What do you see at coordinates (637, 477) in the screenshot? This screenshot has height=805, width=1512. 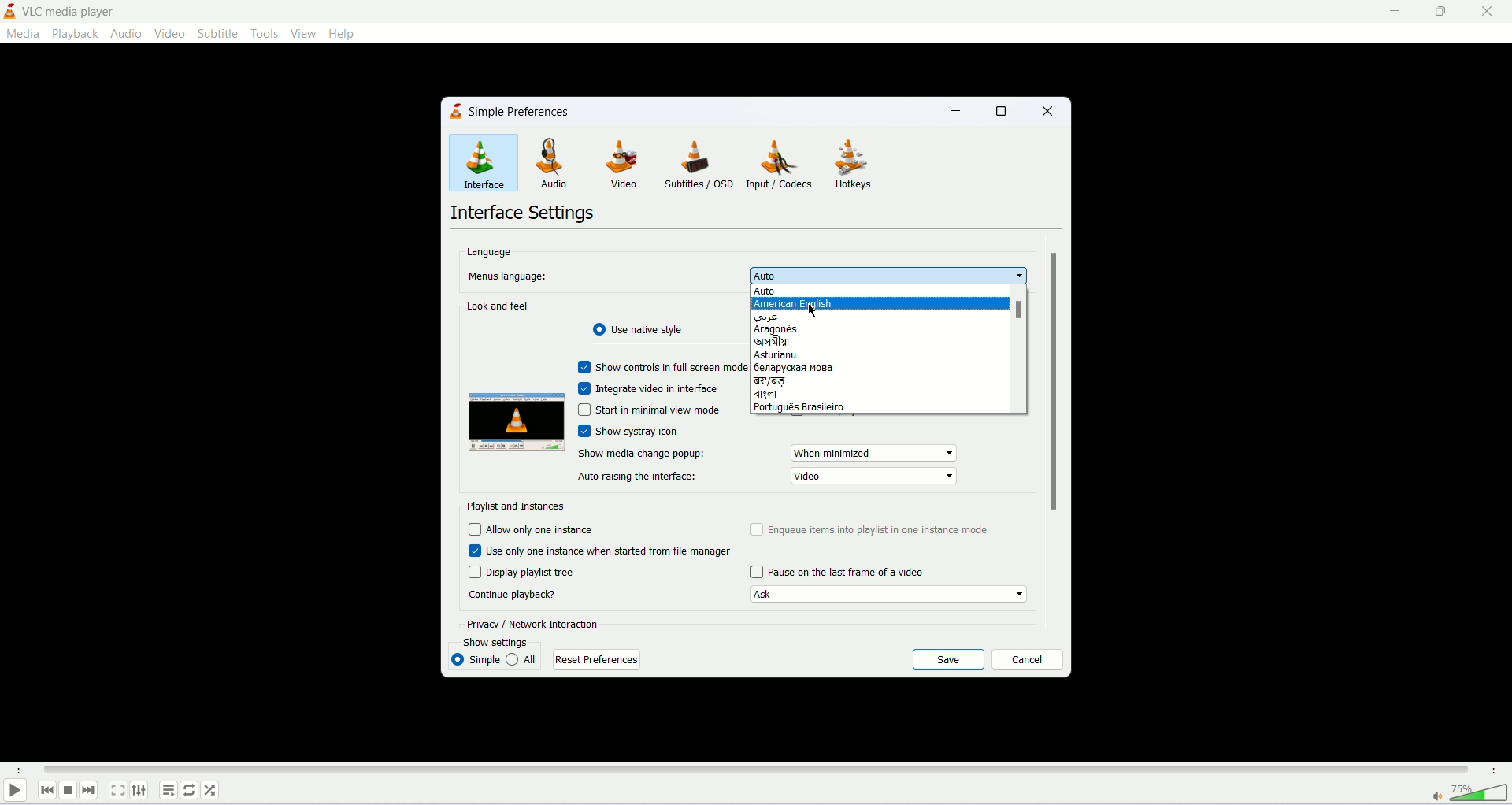 I see `auto raising the interface` at bounding box center [637, 477].